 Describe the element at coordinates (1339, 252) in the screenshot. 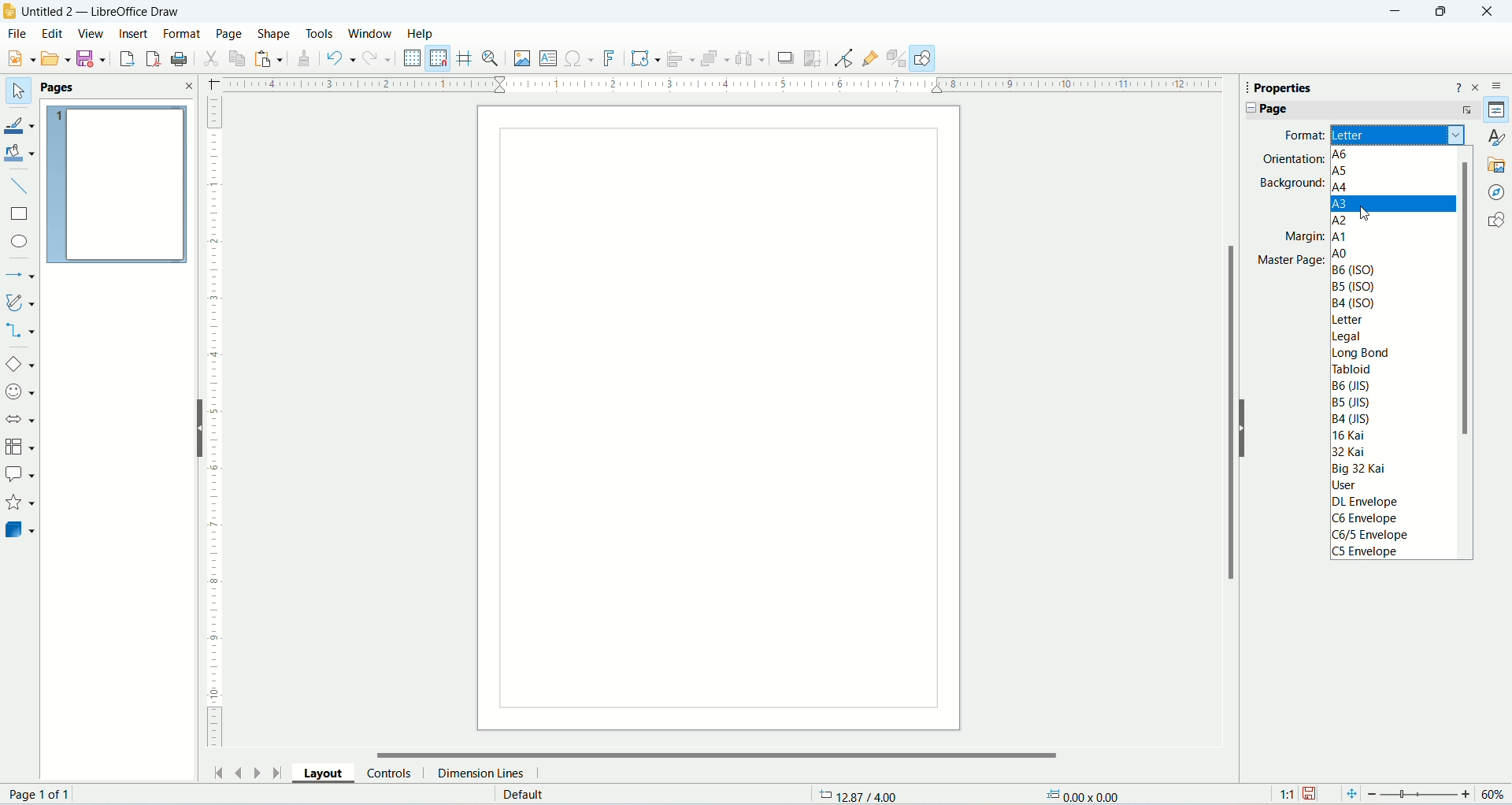

I see `A0` at that location.